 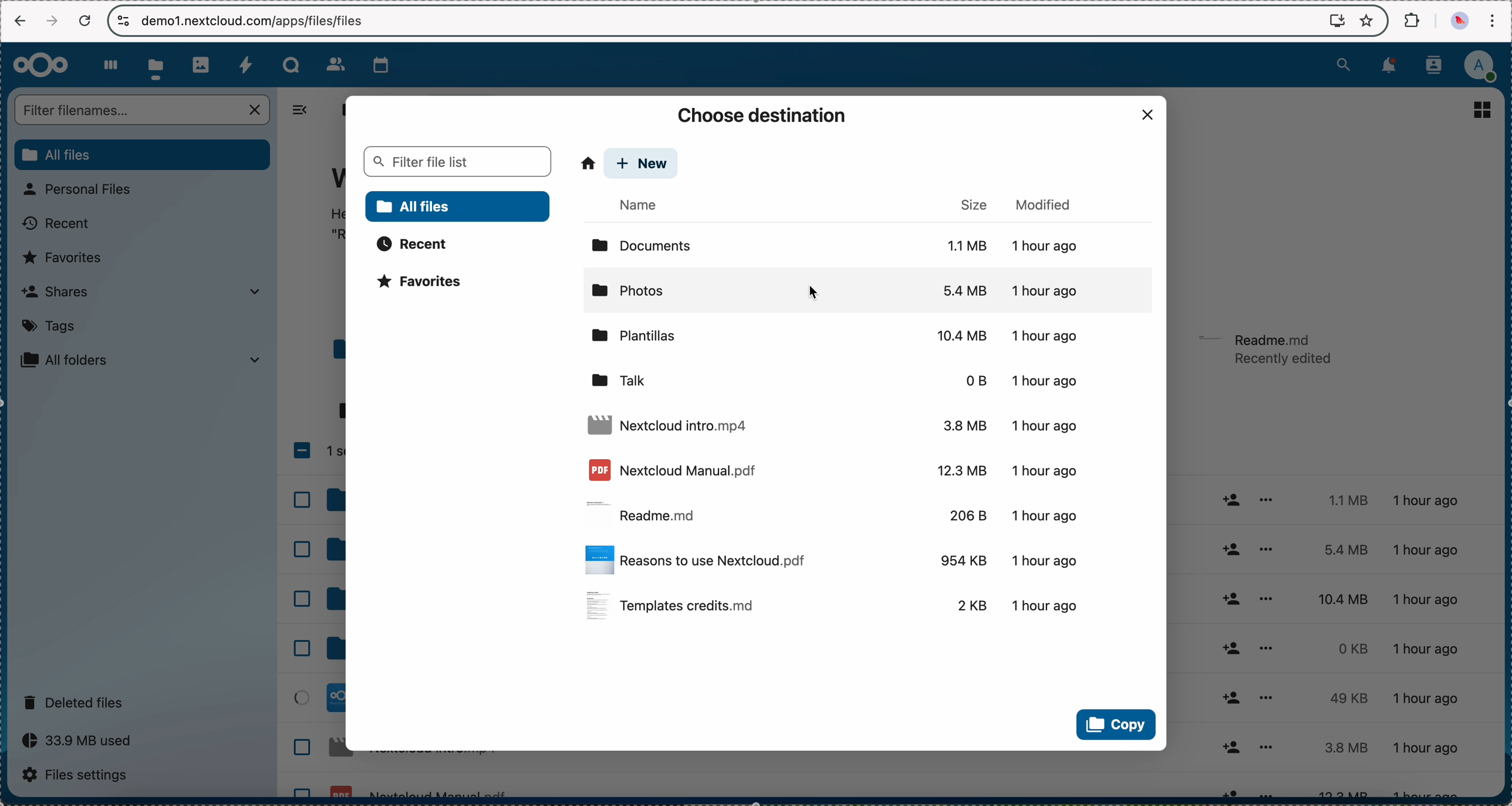 What do you see at coordinates (109, 63) in the screenshot?
I see `dashboard` at bounding box center [109, 63].